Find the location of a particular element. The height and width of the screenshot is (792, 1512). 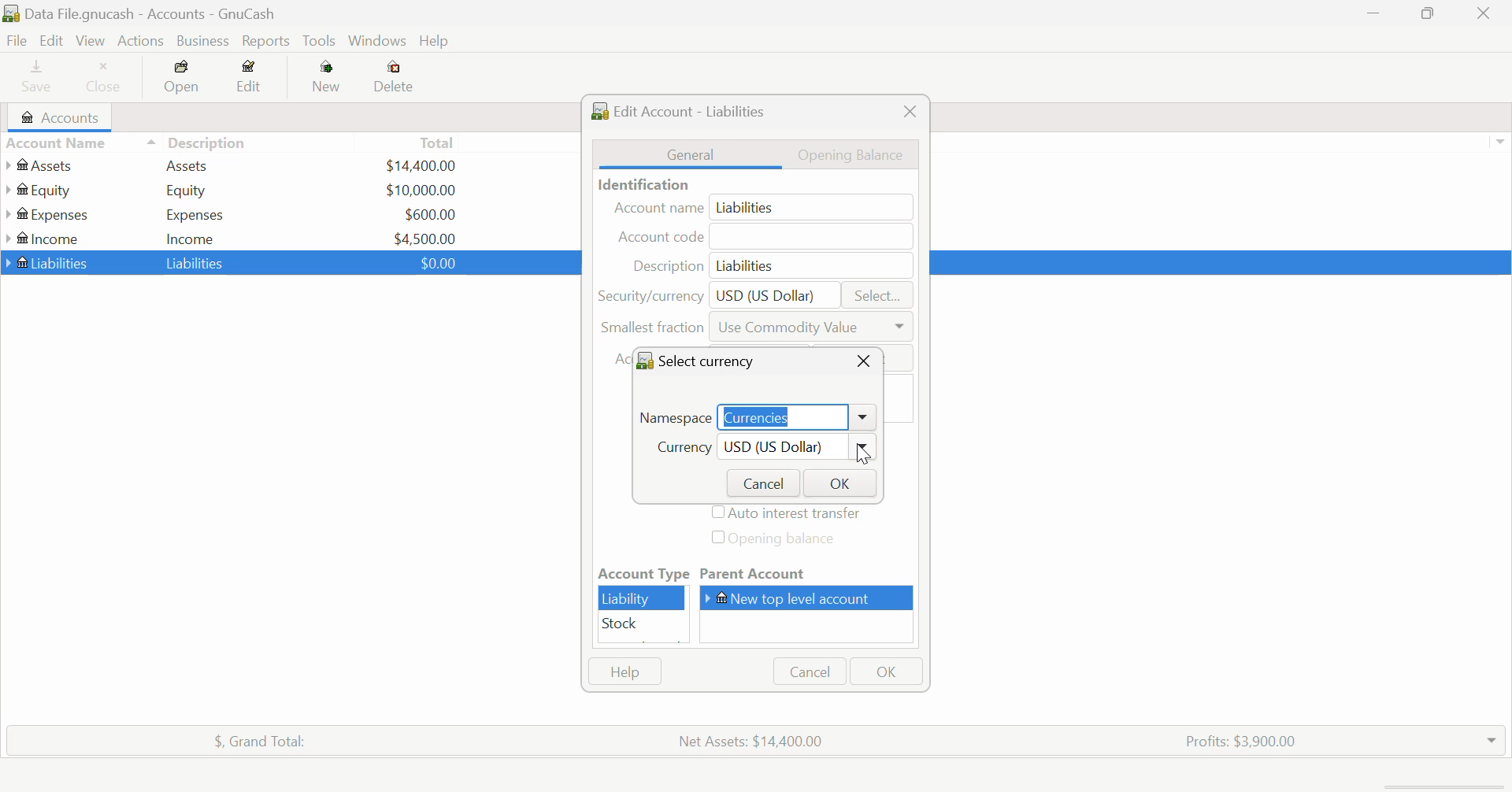

Tools is located at coordinates (321, 42).